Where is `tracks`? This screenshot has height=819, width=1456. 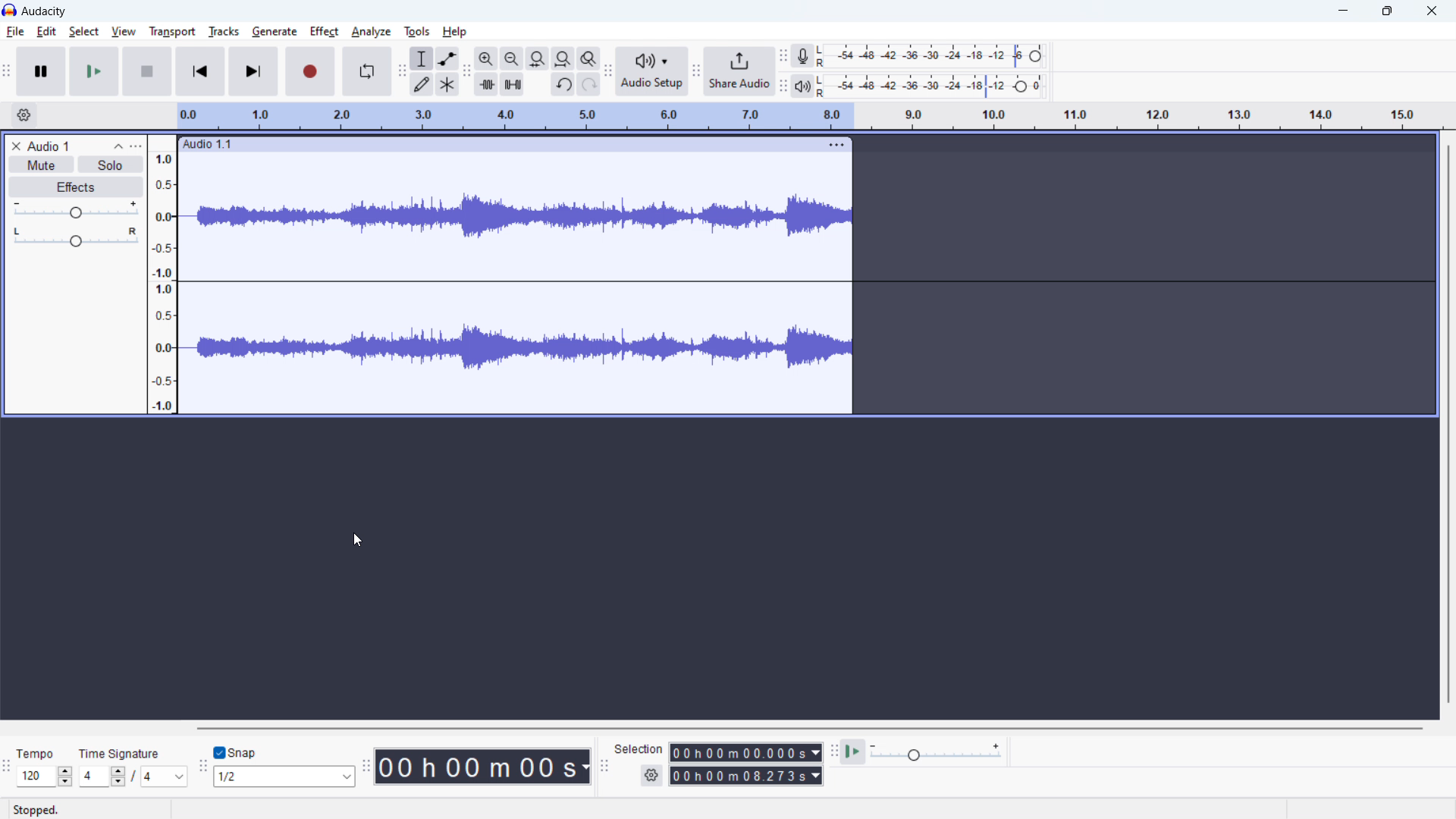 tracks is located at coordinates (224, 32).